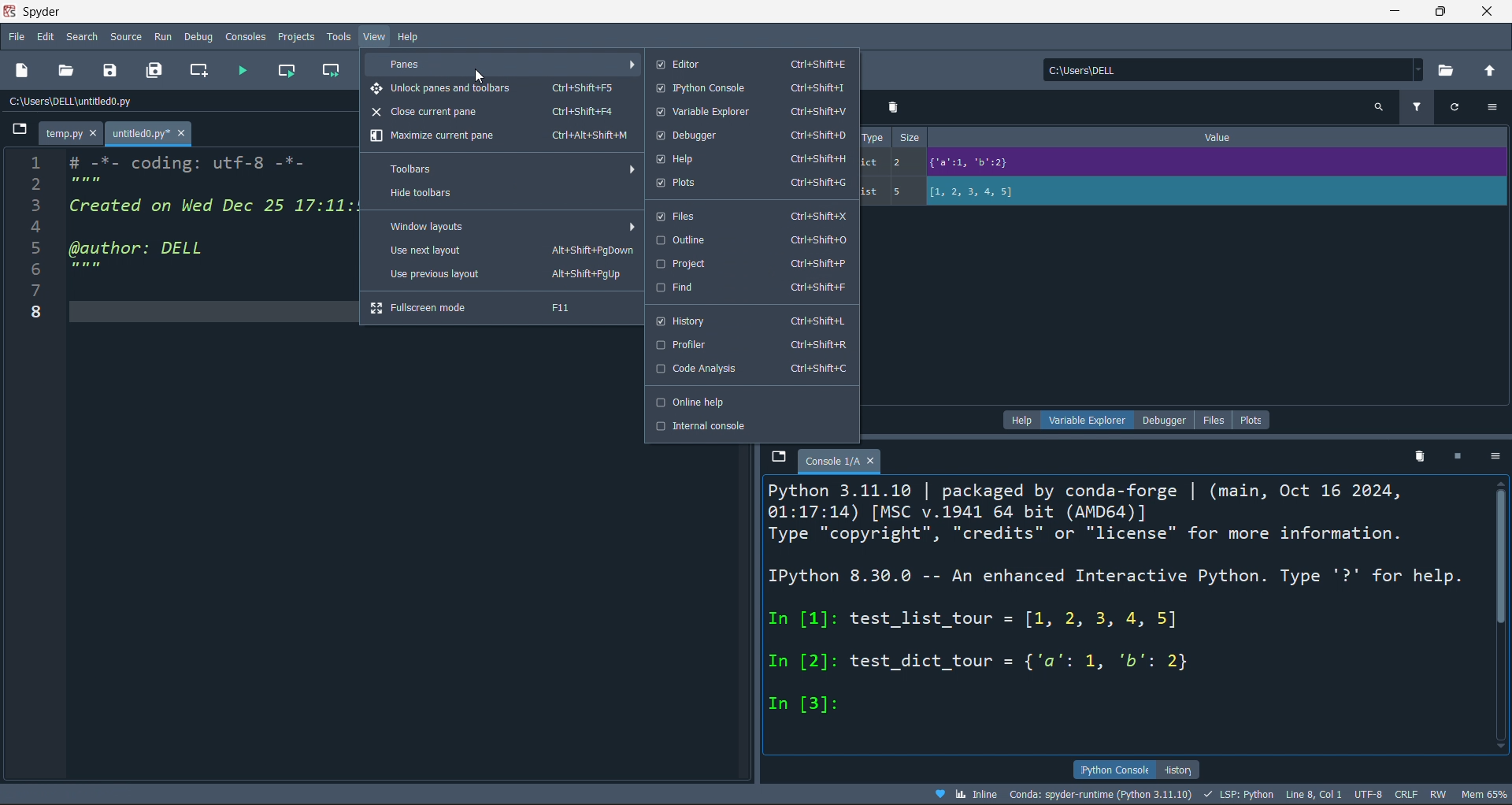 The image size is (1512, 805). What do you see at coordinates (1215, 191) in the screenshot?
I see `value of variable` at bounding box center [1215, 191].